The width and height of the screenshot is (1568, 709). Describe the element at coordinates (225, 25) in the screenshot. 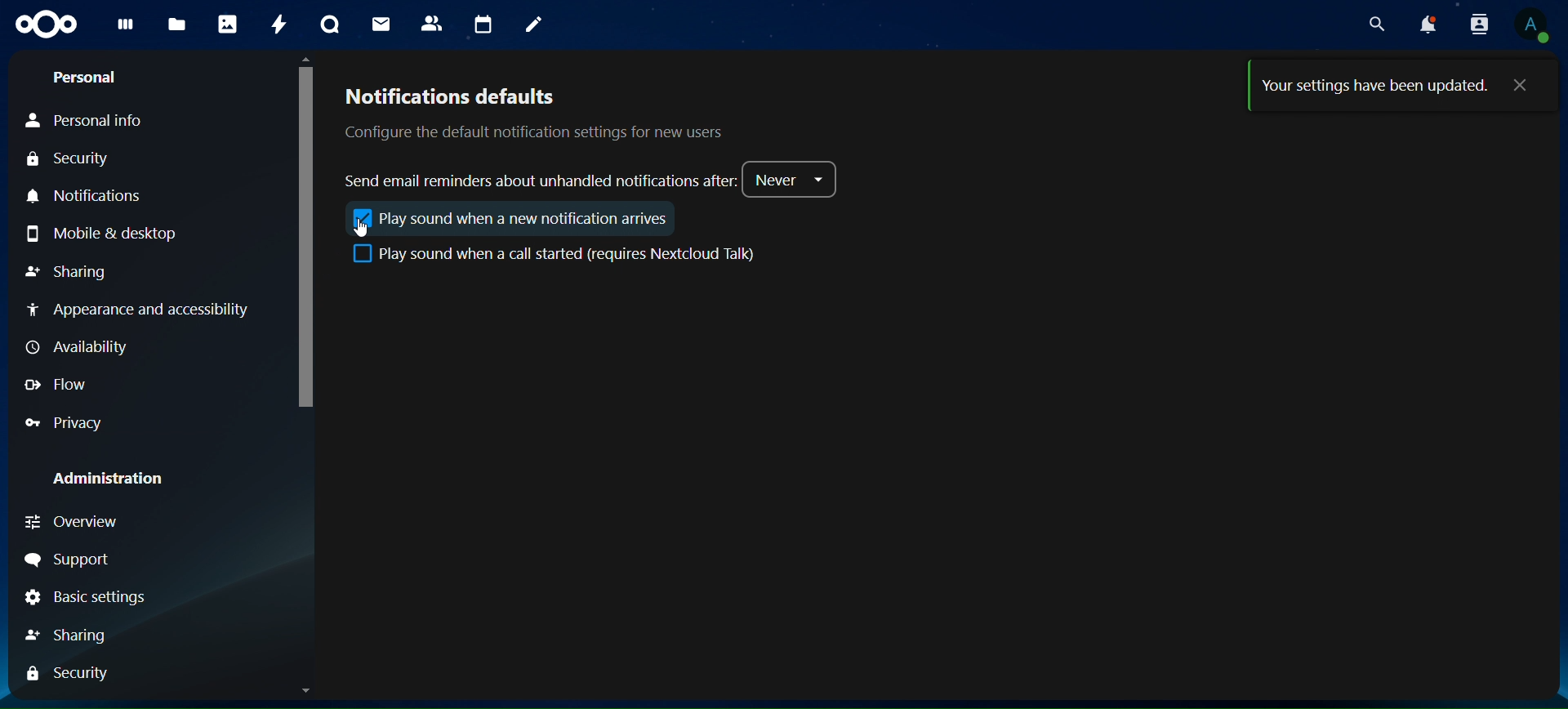

I see `photos` at that location.